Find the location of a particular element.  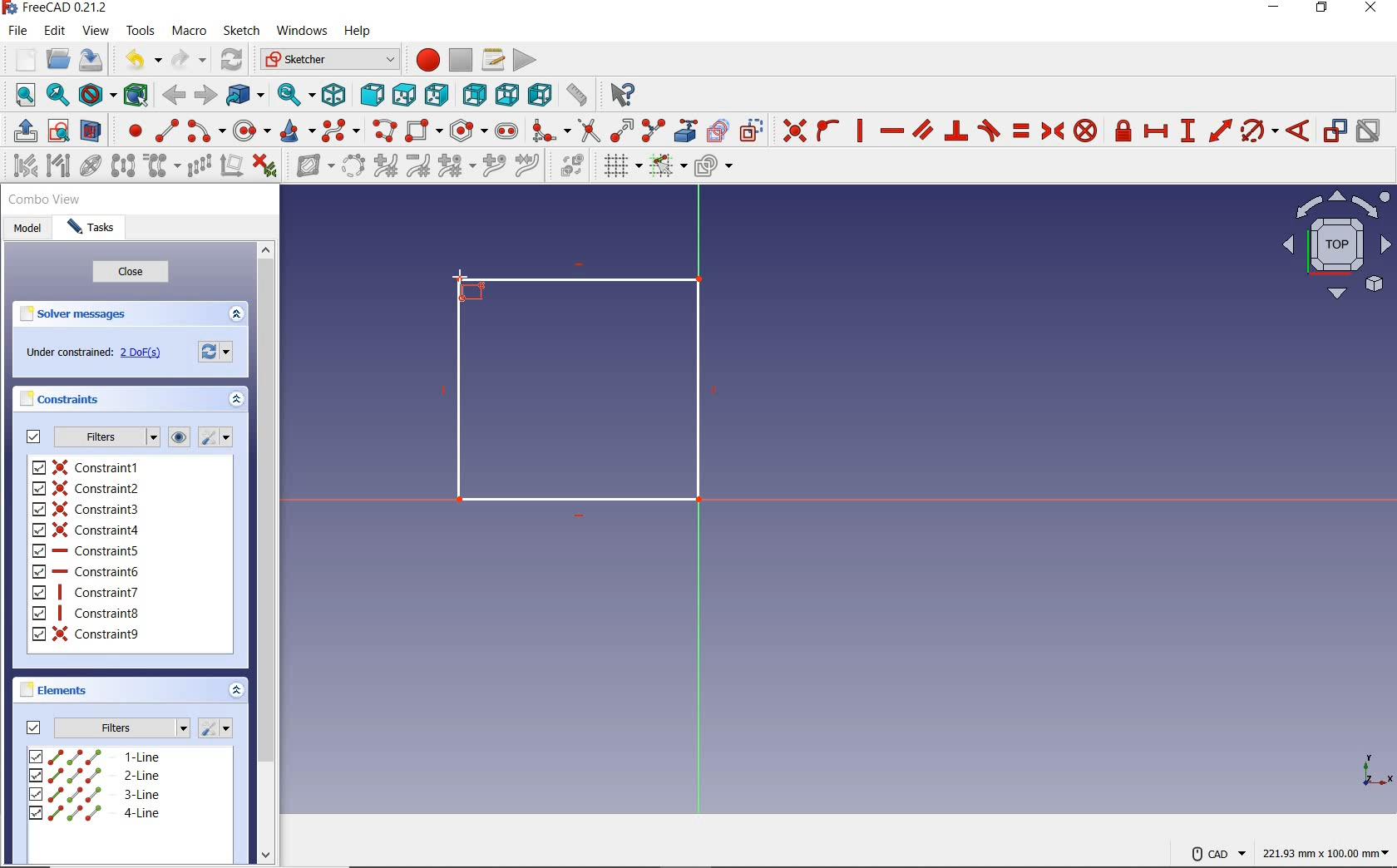

bottom is located at coordinates (508, 94).